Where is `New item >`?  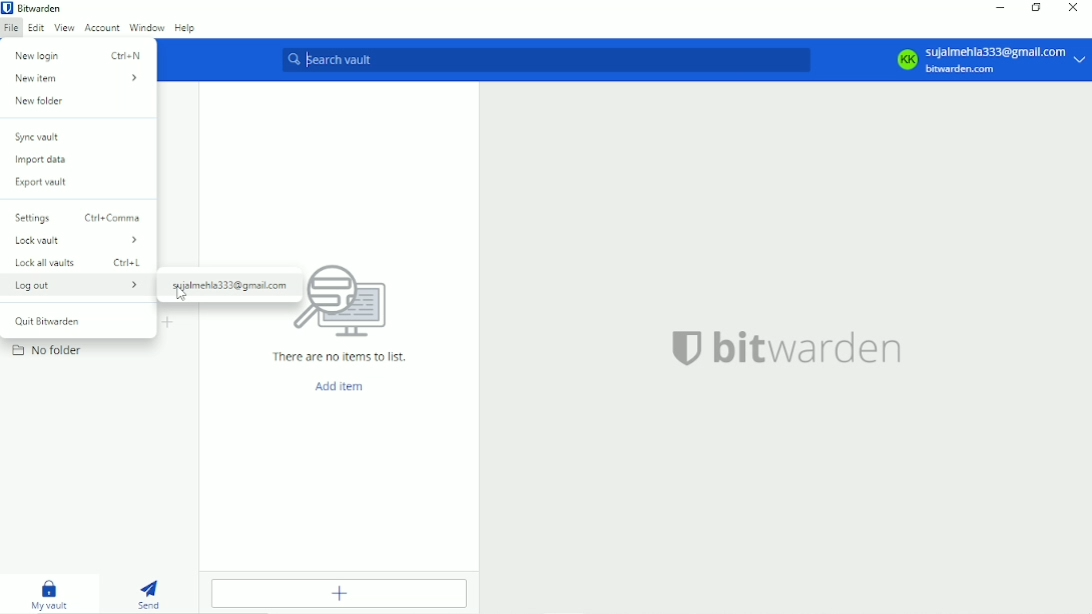
New item > is located at coordinates (77, 79).